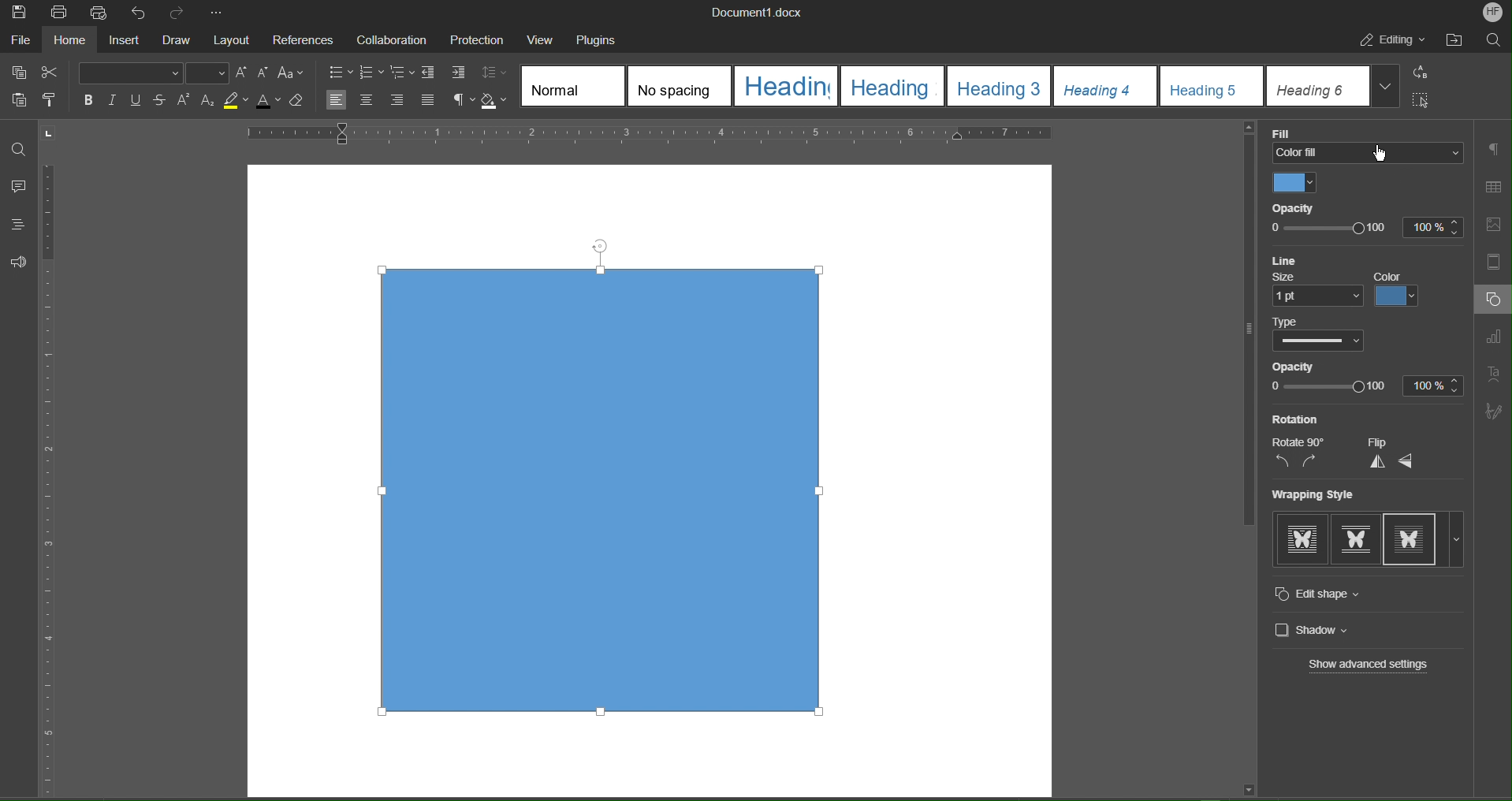  Describe the element at coordinates (1494, 412) in the screenshot. I see `Signature` at that location.